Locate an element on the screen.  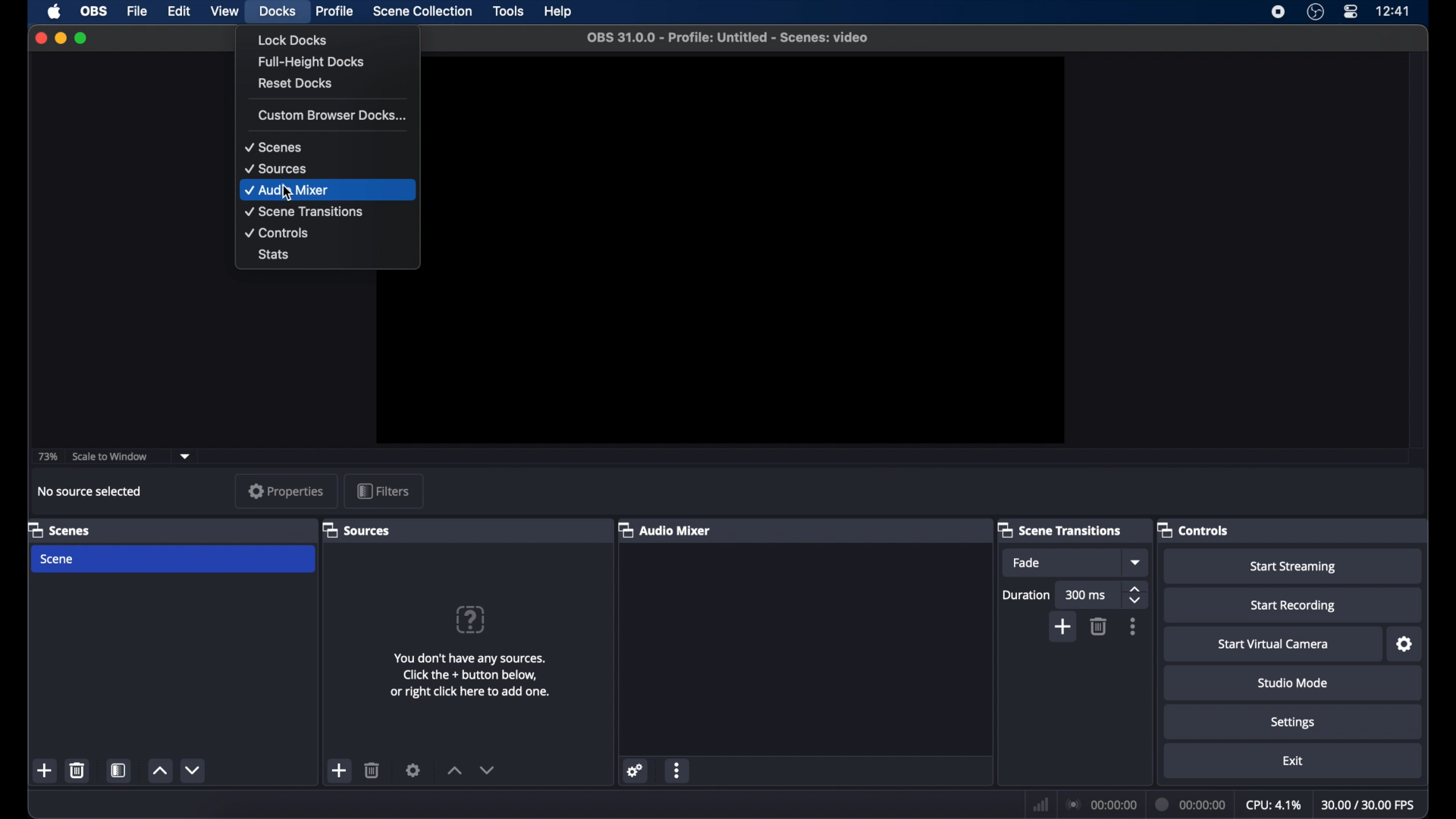
help is located at coordinates (557, 11).